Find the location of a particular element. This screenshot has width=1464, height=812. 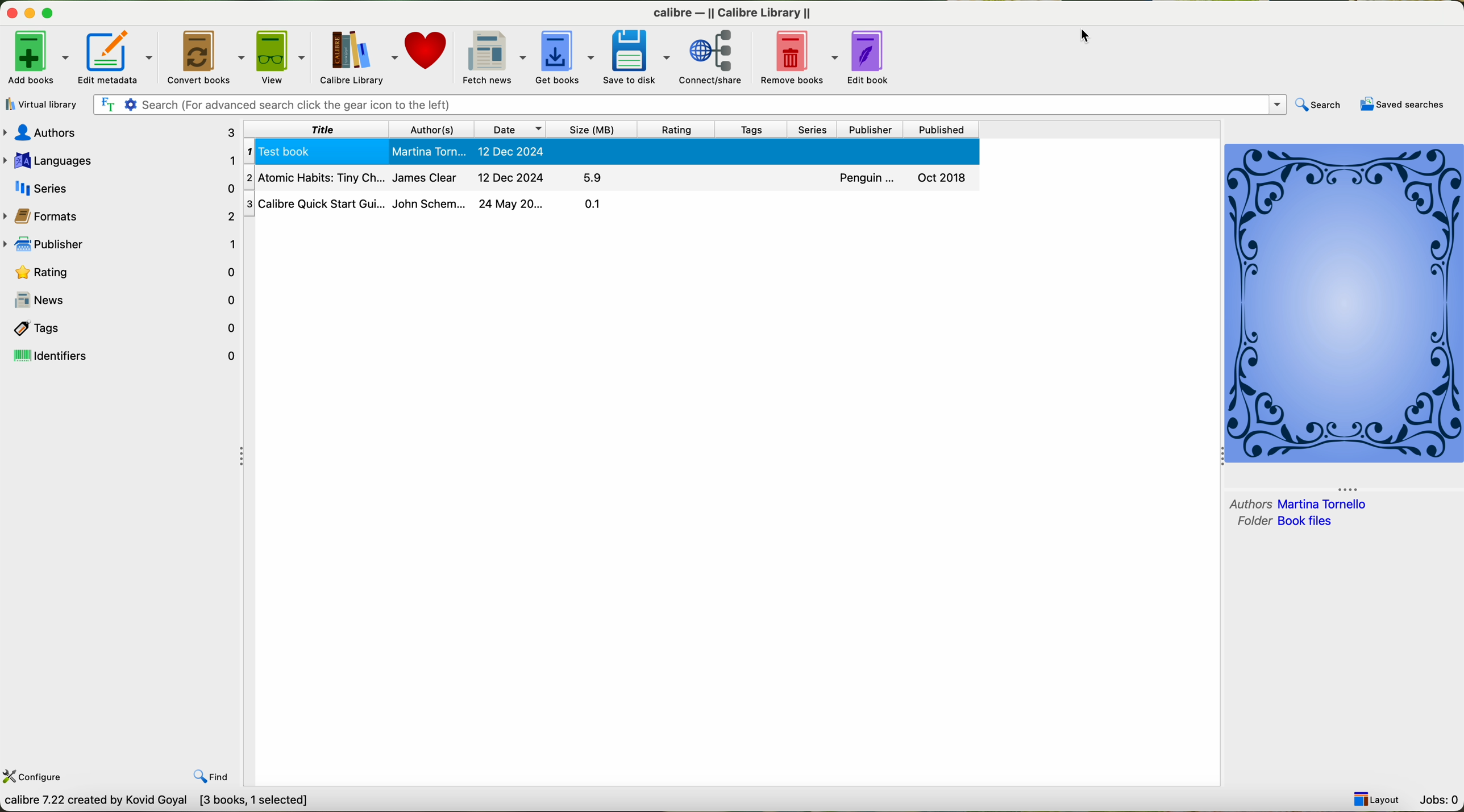

tags is located at coordinates (121, 327).